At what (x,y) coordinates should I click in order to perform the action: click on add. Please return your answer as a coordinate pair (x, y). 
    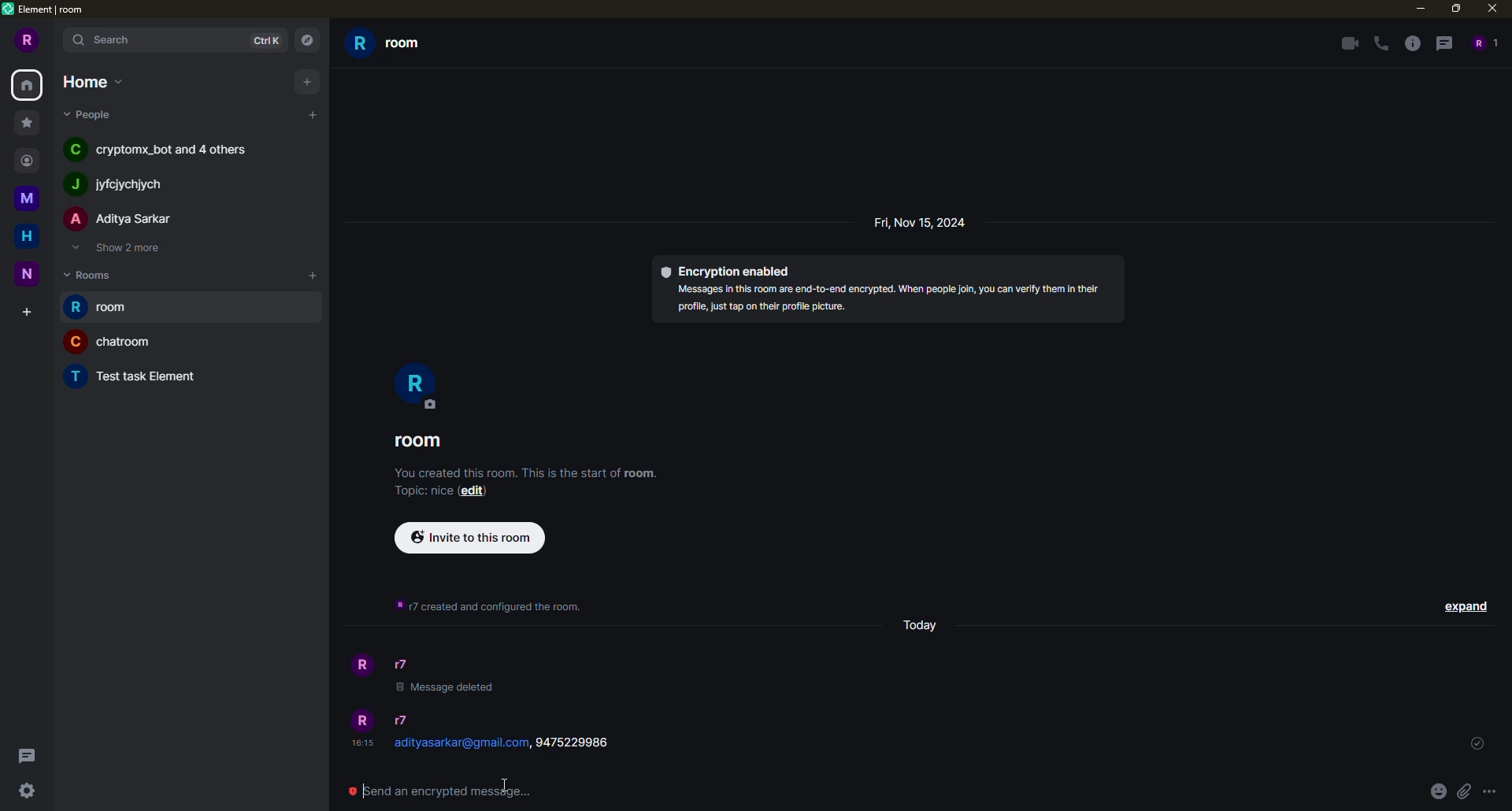
    Looking at the image, I should click on (306, 80).